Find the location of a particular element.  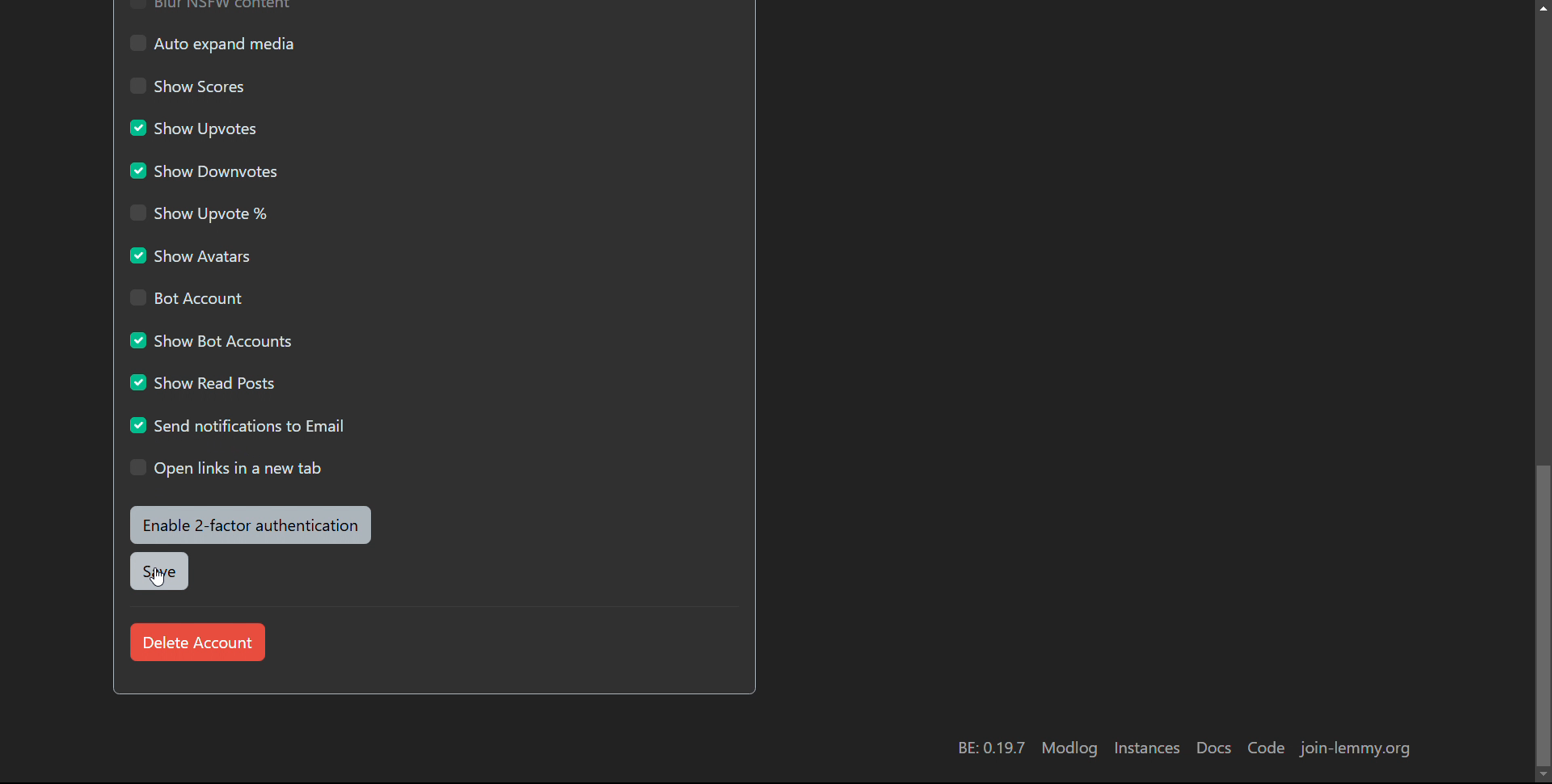

show read posts is located at coordinates (203, 381).